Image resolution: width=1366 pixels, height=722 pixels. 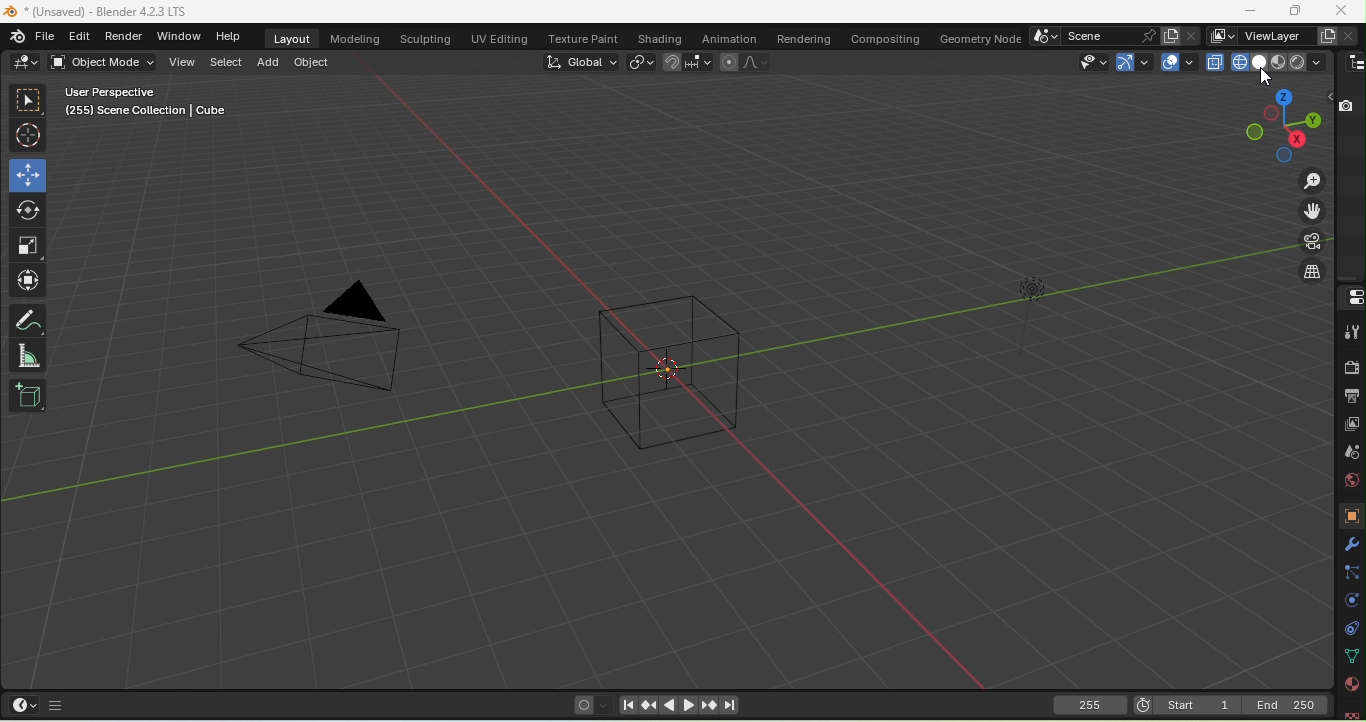 What do you see at coordinates (1325, 35) in the screenshot?
I see `New view layer` at bounding box center [1325, 35].